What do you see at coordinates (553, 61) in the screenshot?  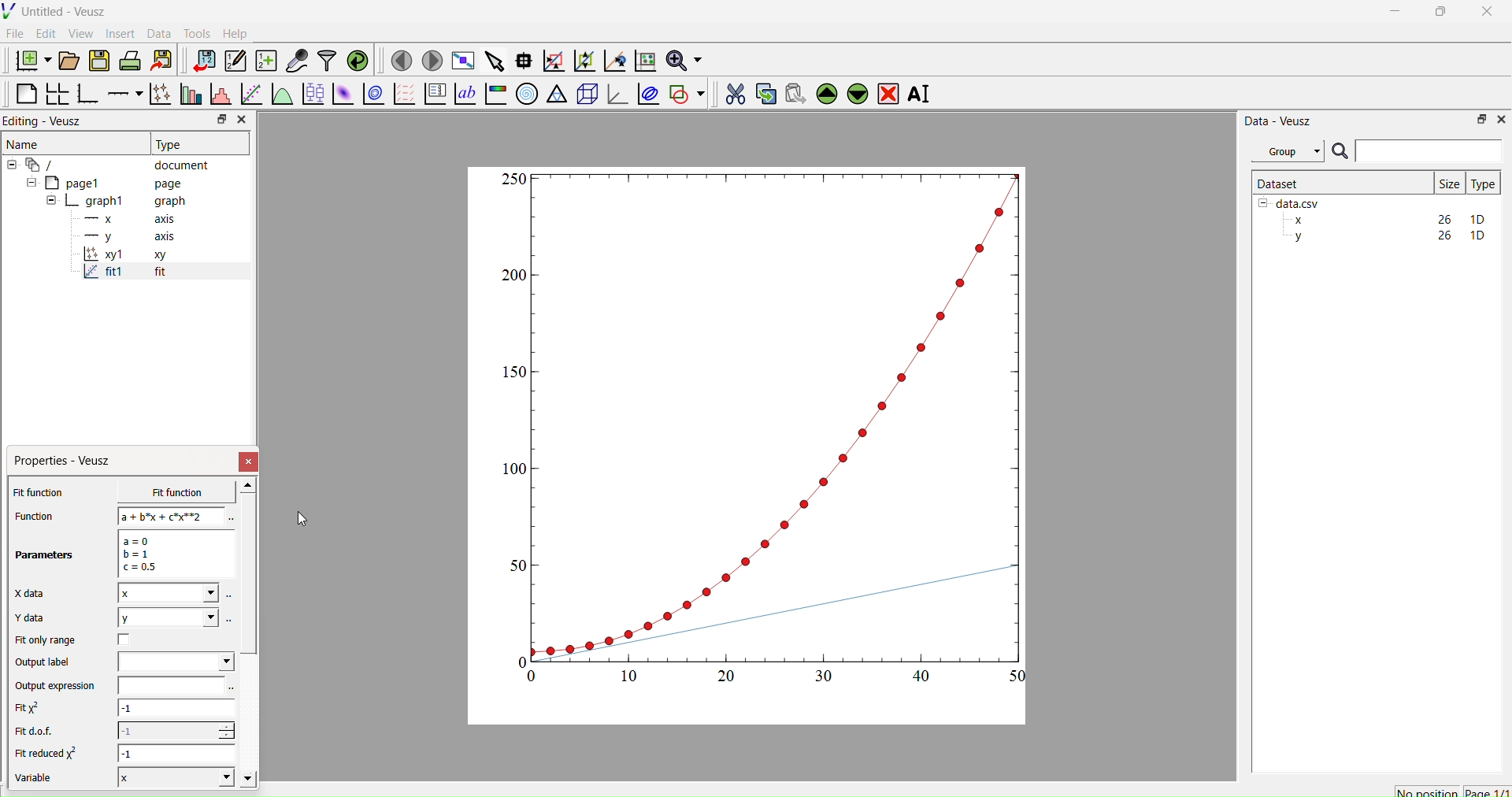 I see `Zoom graph axes` at bounding box center [553, 61].